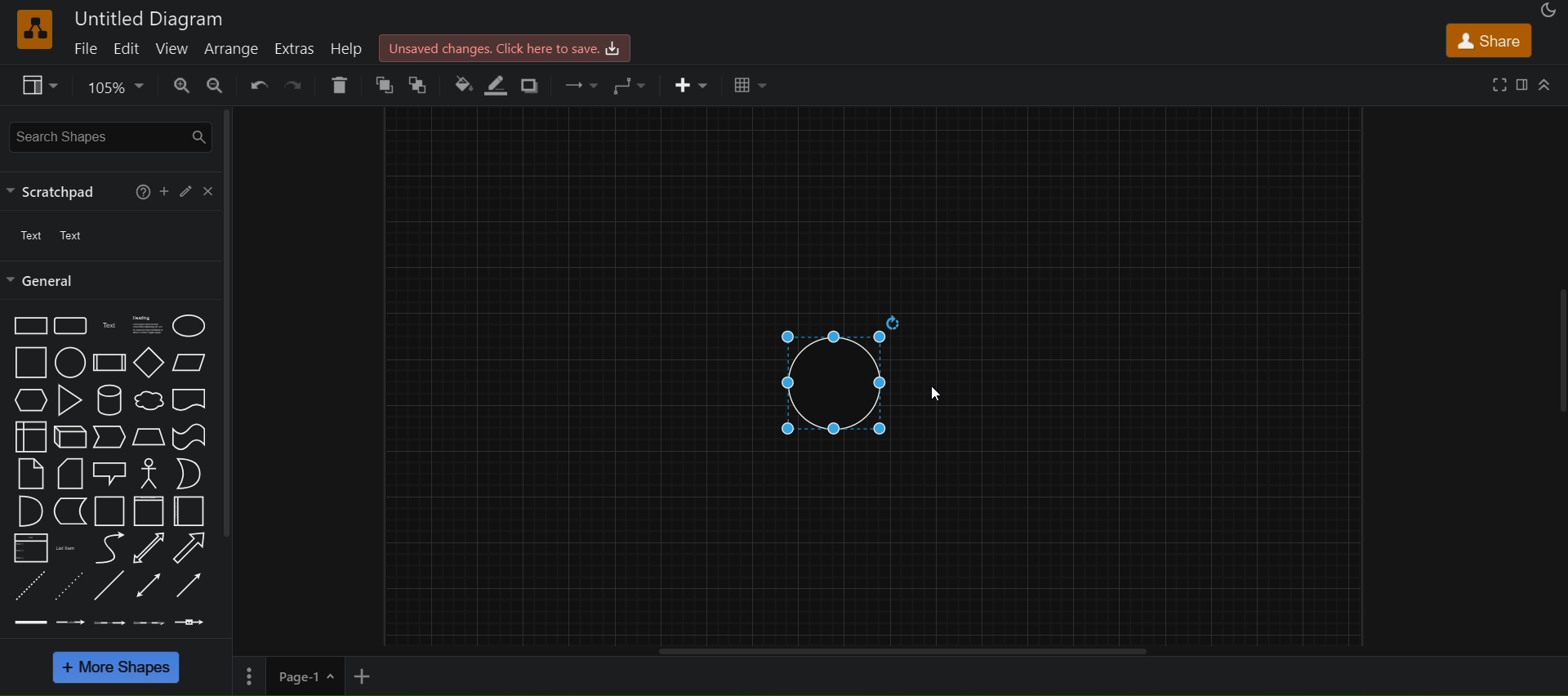  I want to click on extras, so click(295, 49).